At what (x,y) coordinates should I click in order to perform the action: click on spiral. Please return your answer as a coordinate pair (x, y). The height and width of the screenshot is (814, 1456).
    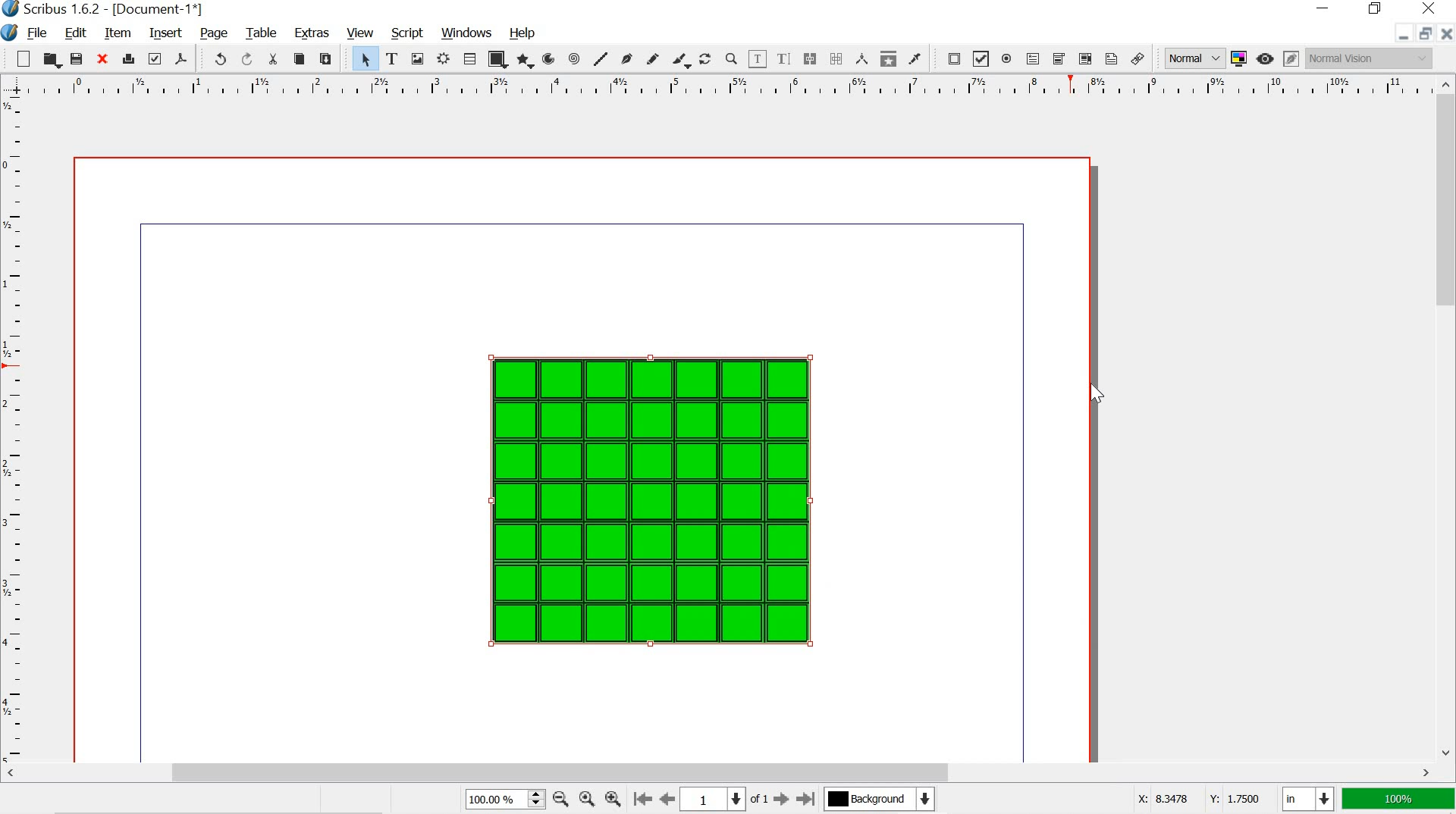
    Looking at the image, I should click on (573, 58).